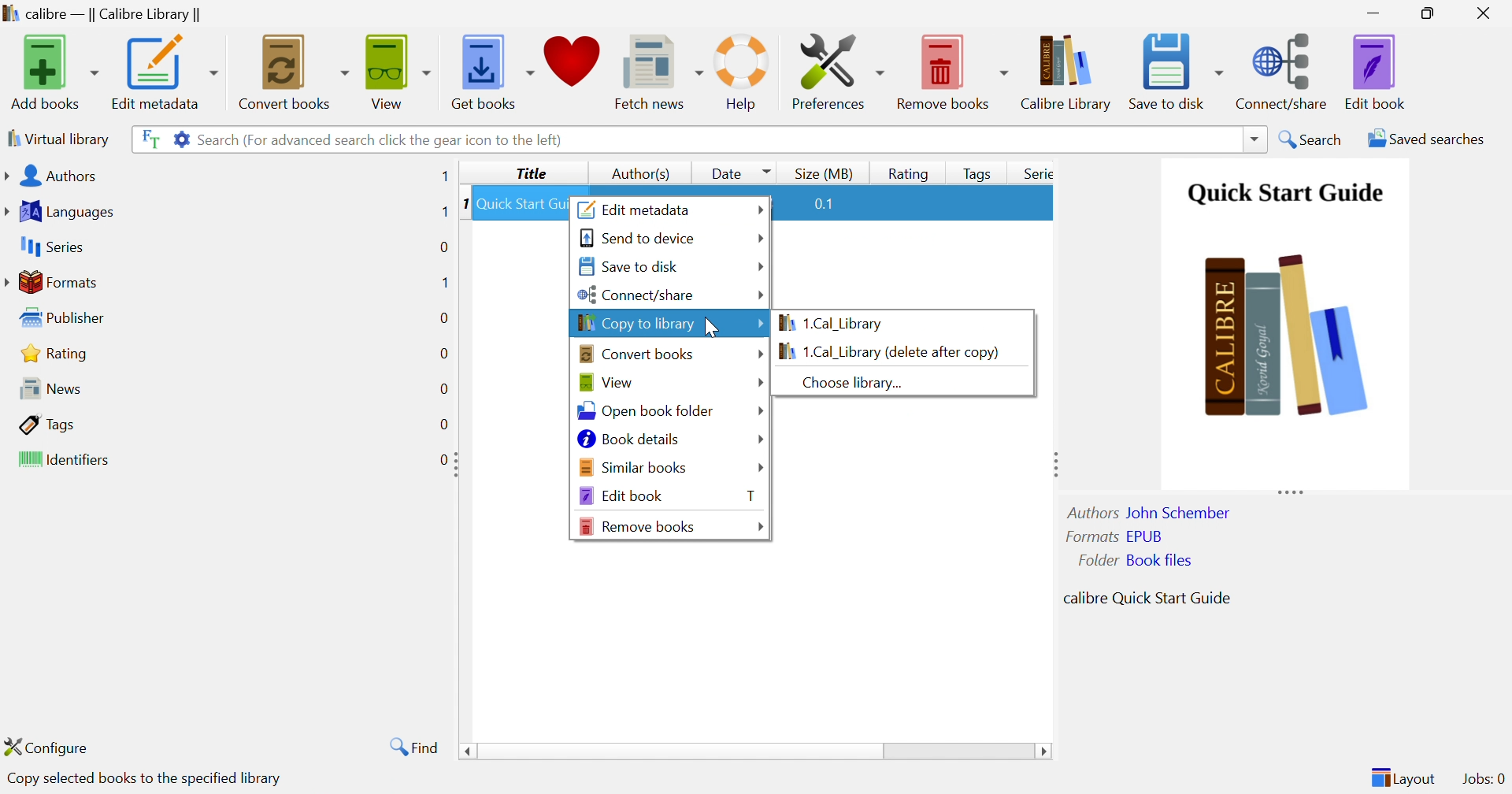 The width and height of the screenshot is (1512, 794). Describe the element at coordinates (45, 387) in the screenshot. I see `News` at that location.